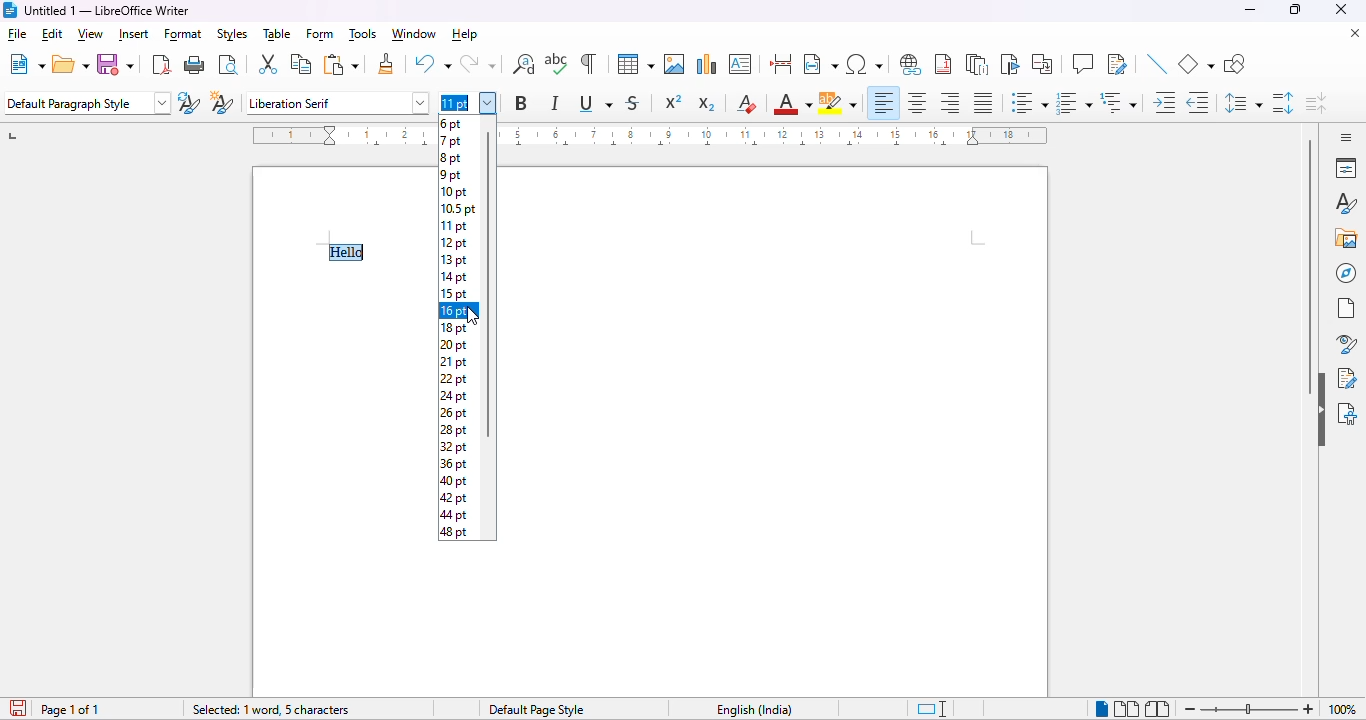 The height and width of the screenshot is (720, 1366). I want to click on Default paragraph style, so click(87, 103).